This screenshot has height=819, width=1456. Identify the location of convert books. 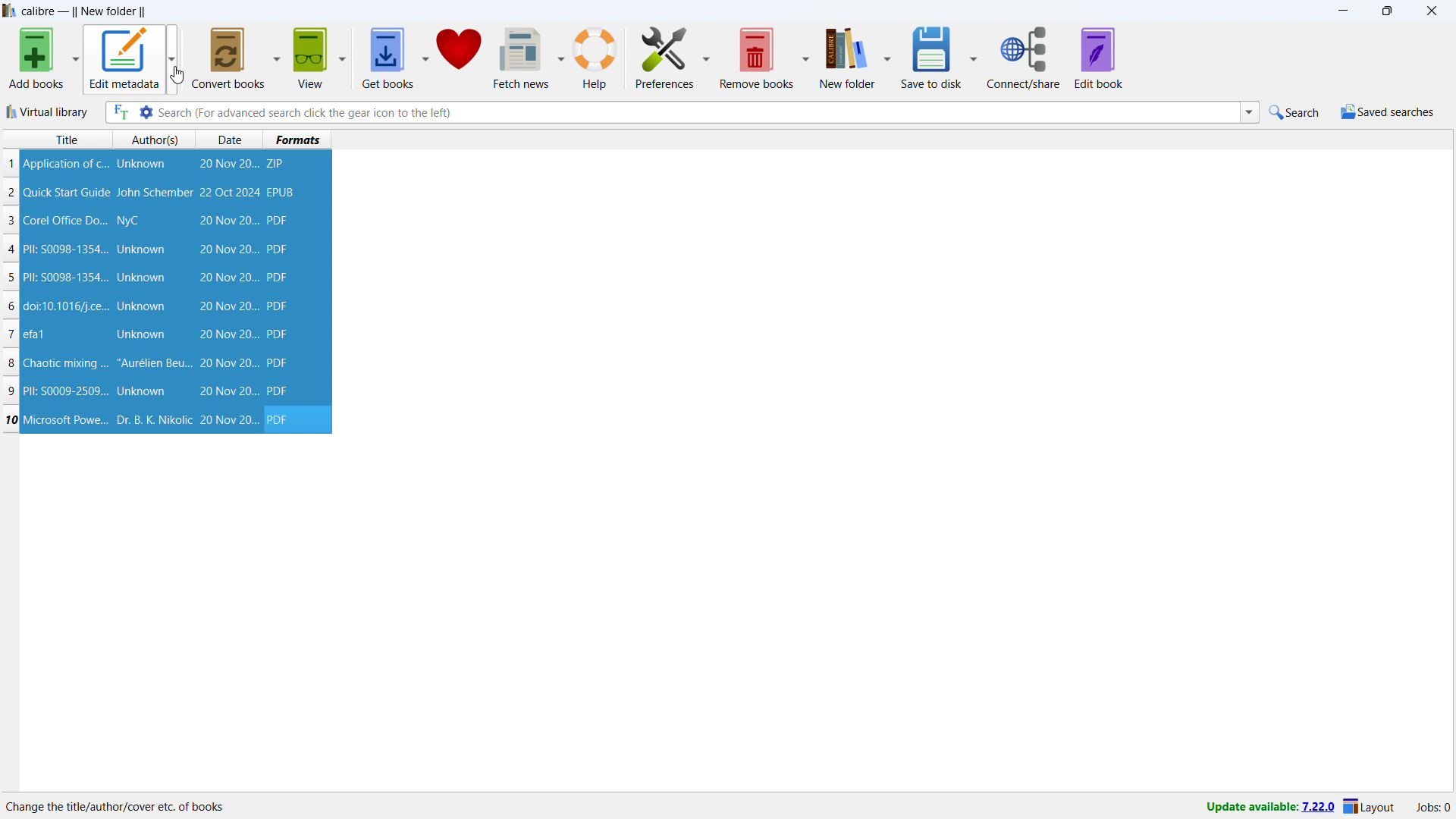
(230, 58).